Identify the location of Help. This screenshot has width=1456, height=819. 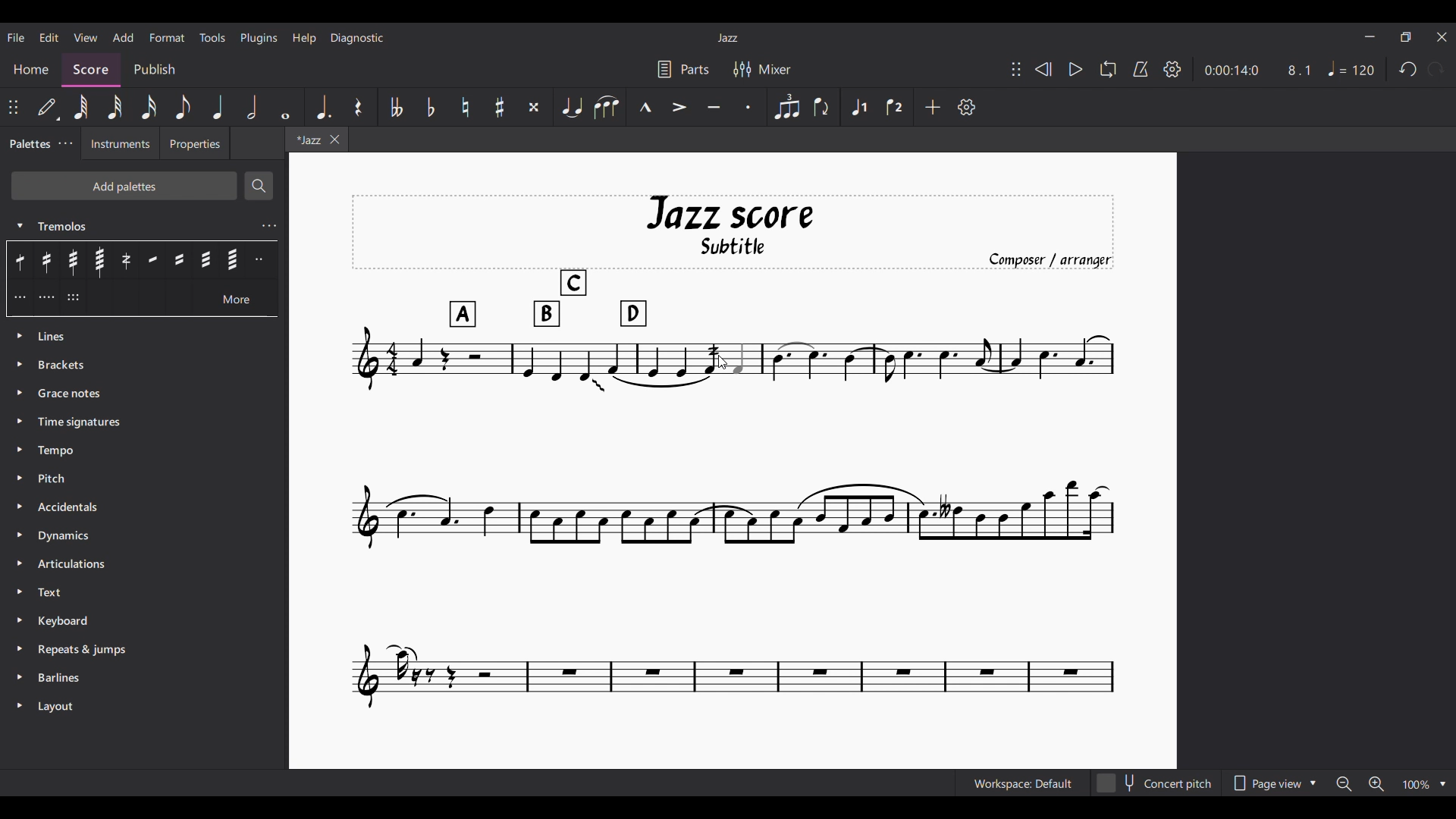
(305, 39).